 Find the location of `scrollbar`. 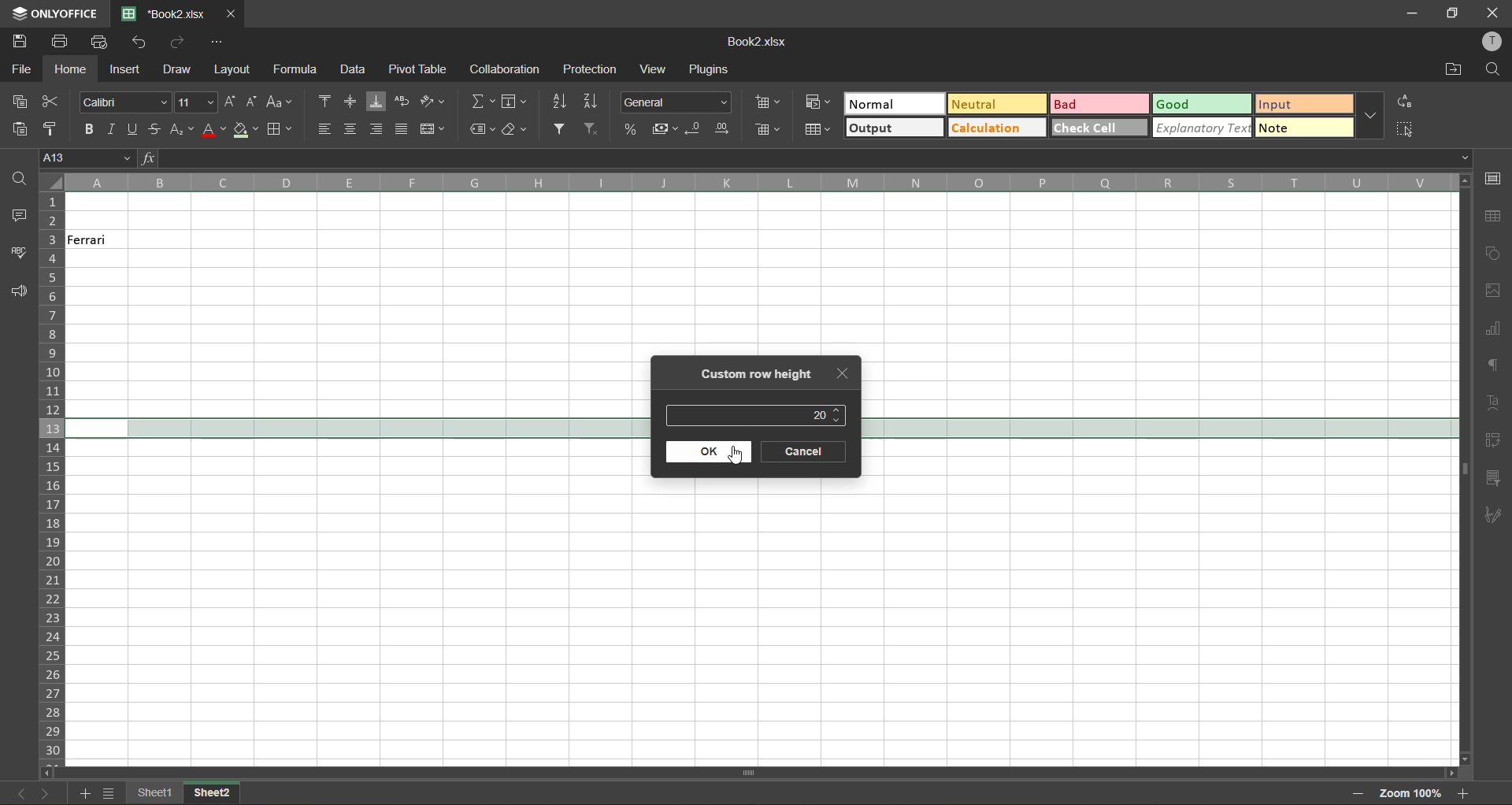

scrollbar is located at coordinates (1464, 469).